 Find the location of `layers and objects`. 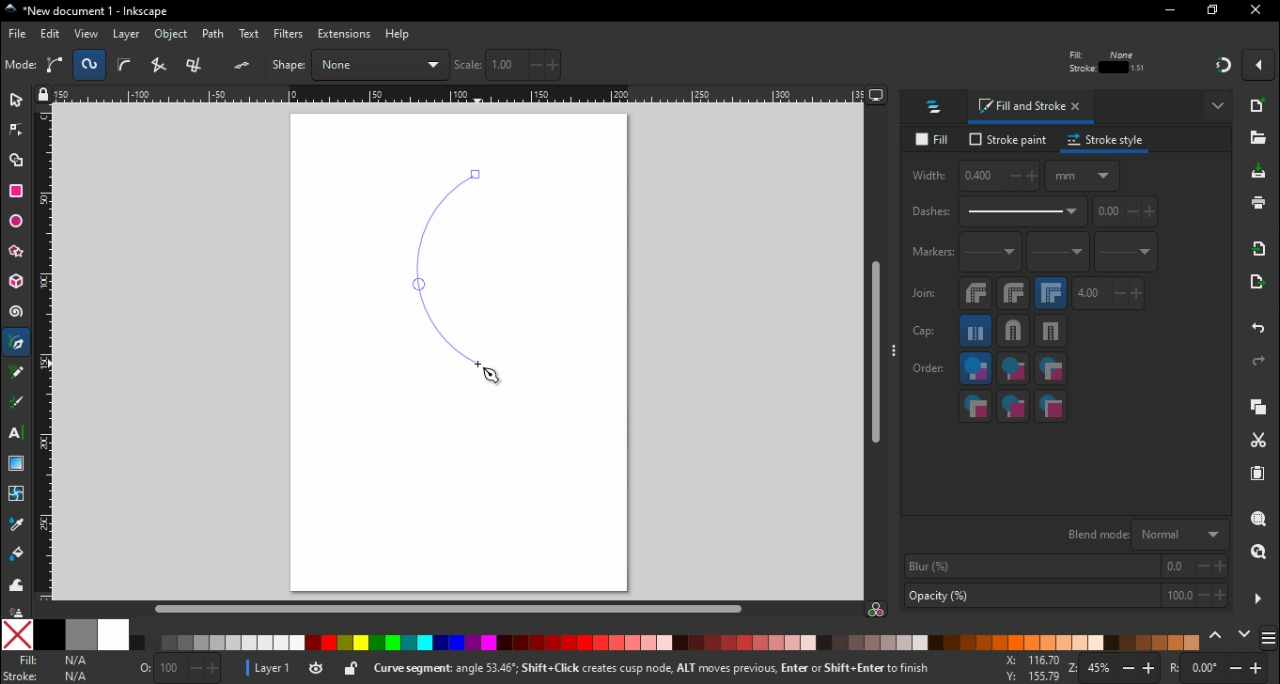

layers and objects is located at coordinates (937, 109).